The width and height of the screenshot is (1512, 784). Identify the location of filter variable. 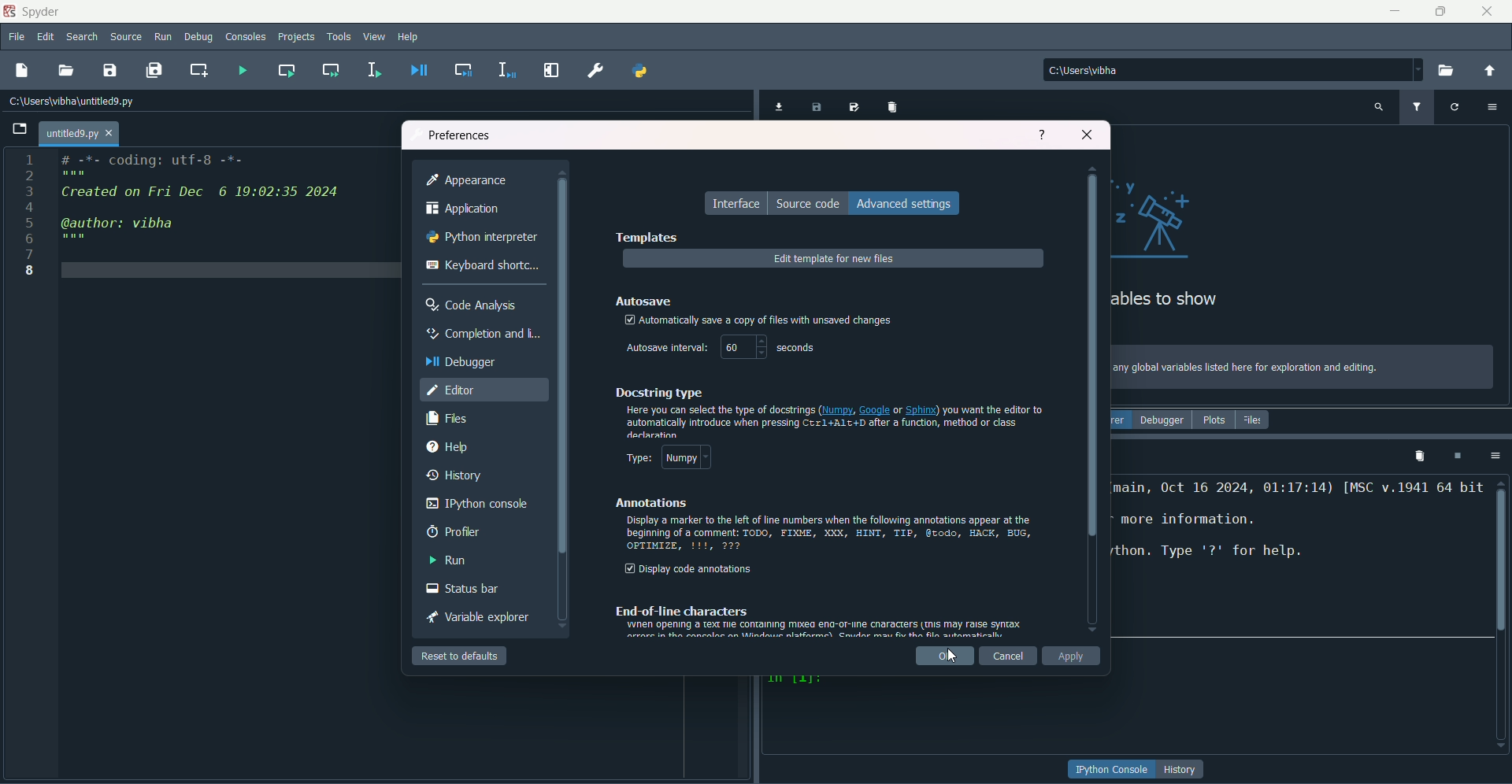
(1416, 107).